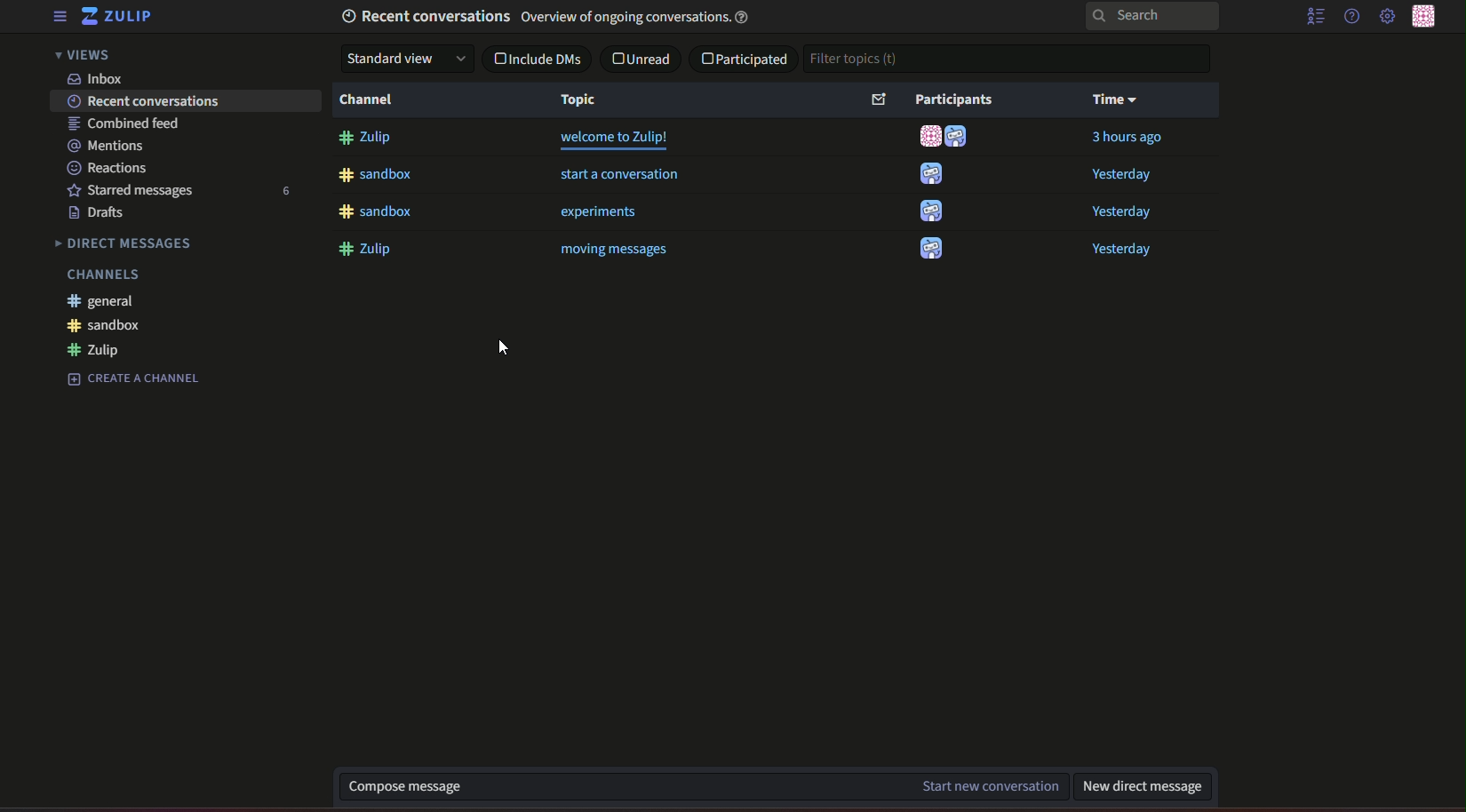 The height and width of the screenshot is (812, 1466). Describe the element at coordinates (1120, 213) in the screenshot. I see `Yesterday` at that location.